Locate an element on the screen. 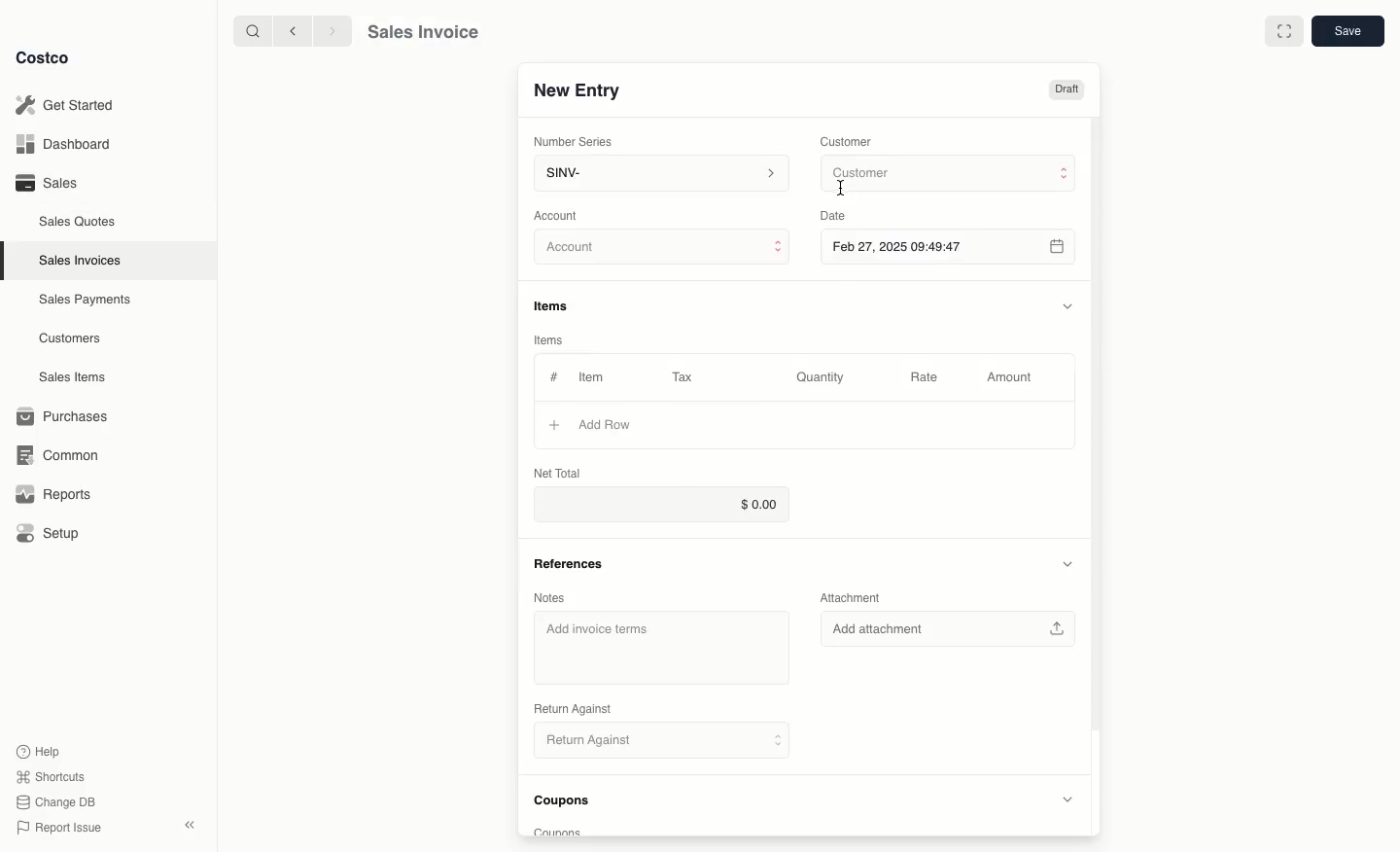 This screenshot has height=852, width=1400. Help is located at coordinates (40, 750).